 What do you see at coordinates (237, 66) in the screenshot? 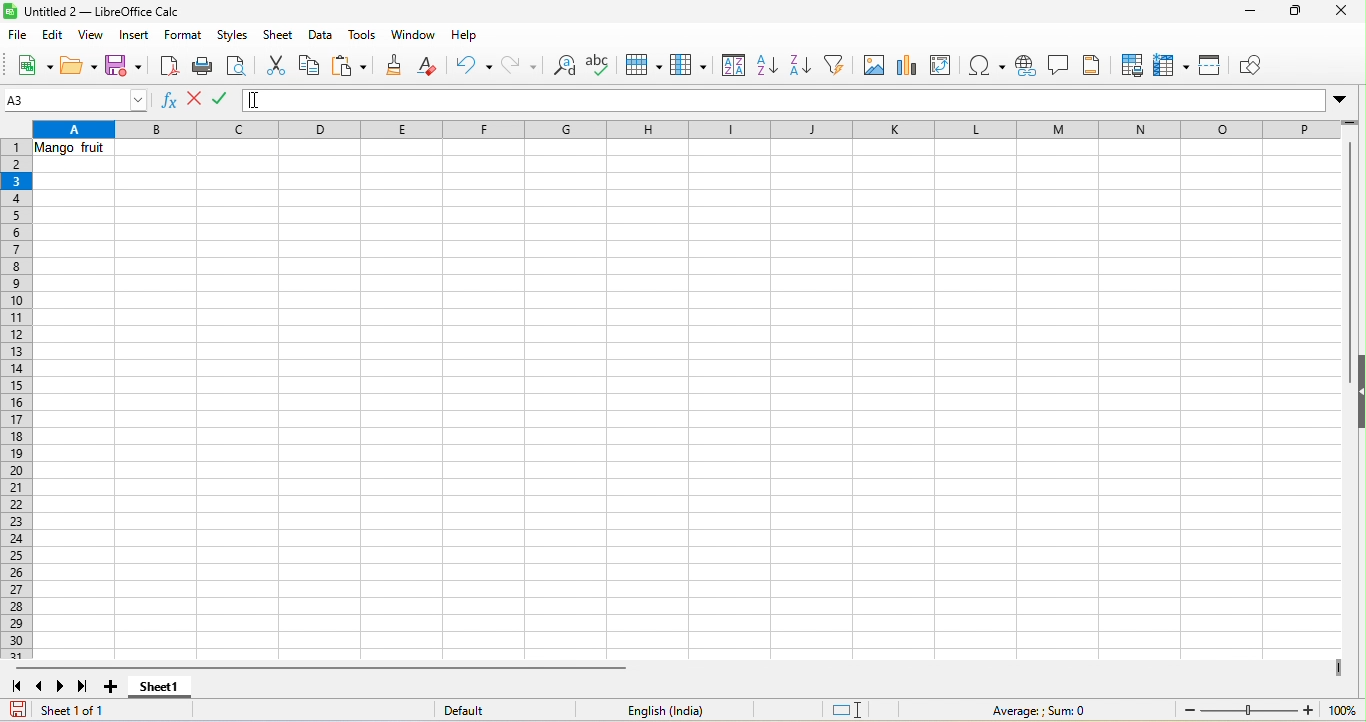
I see `print preview` at bounding box center [237, 66].